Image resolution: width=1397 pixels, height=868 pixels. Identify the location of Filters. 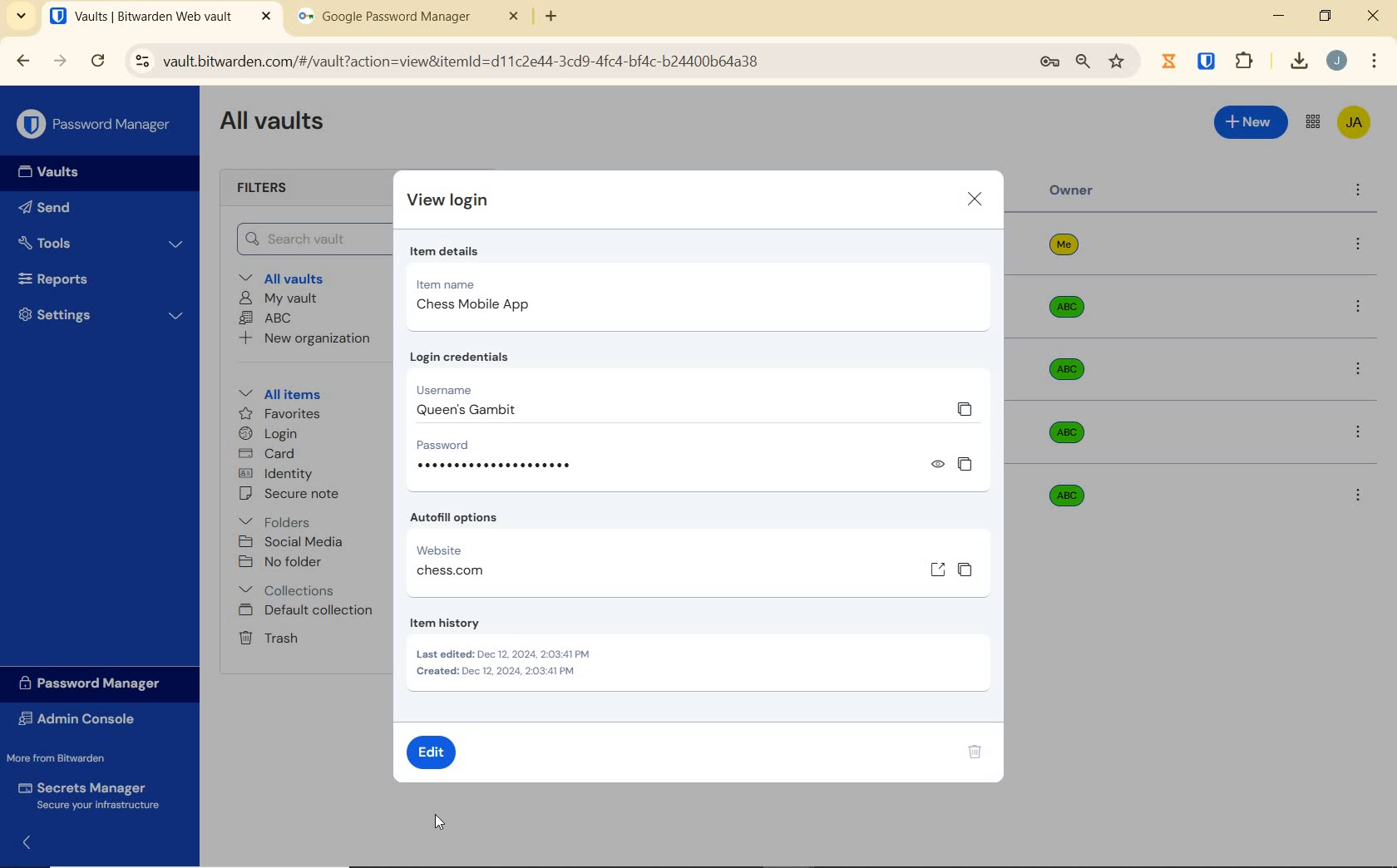
(268, 189).